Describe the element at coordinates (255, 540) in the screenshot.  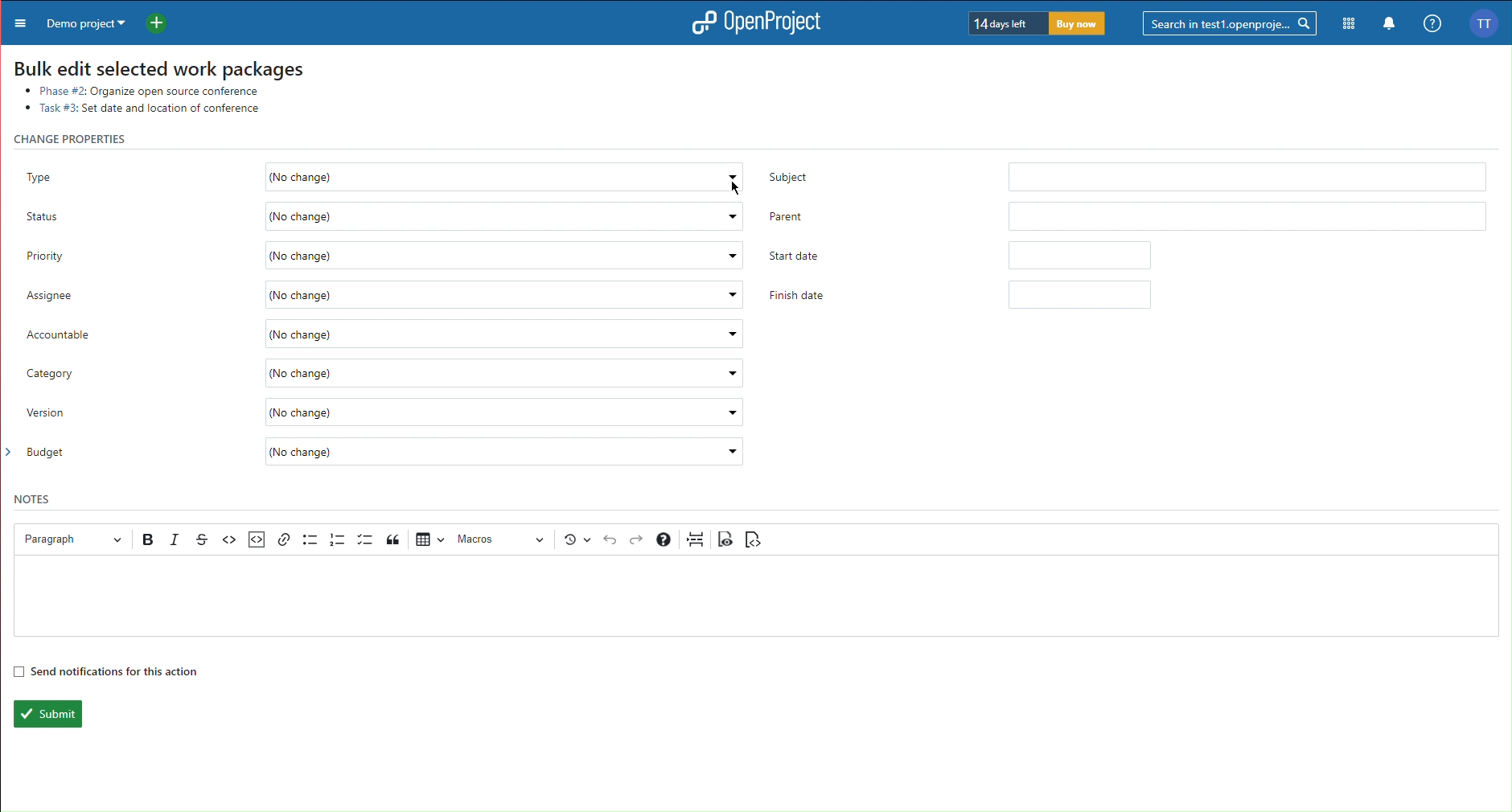
I see `Attachment Settings` at that location.